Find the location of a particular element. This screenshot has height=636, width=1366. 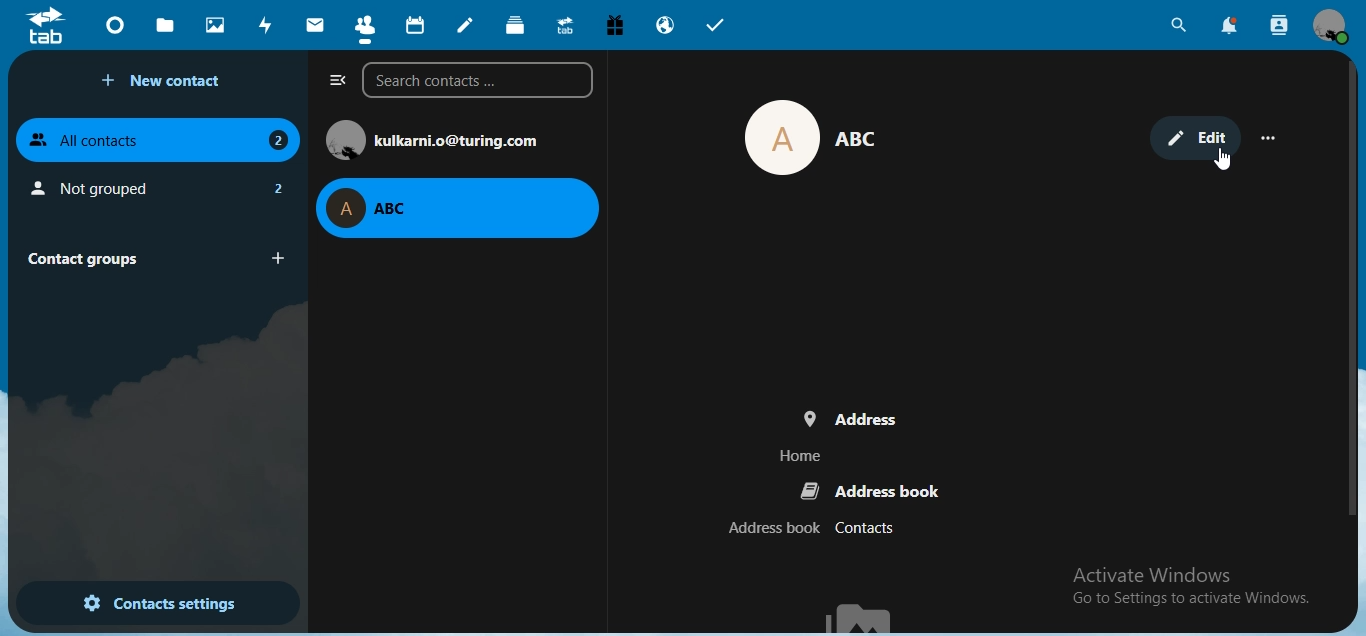

mail is located at coordinates (313, 25).